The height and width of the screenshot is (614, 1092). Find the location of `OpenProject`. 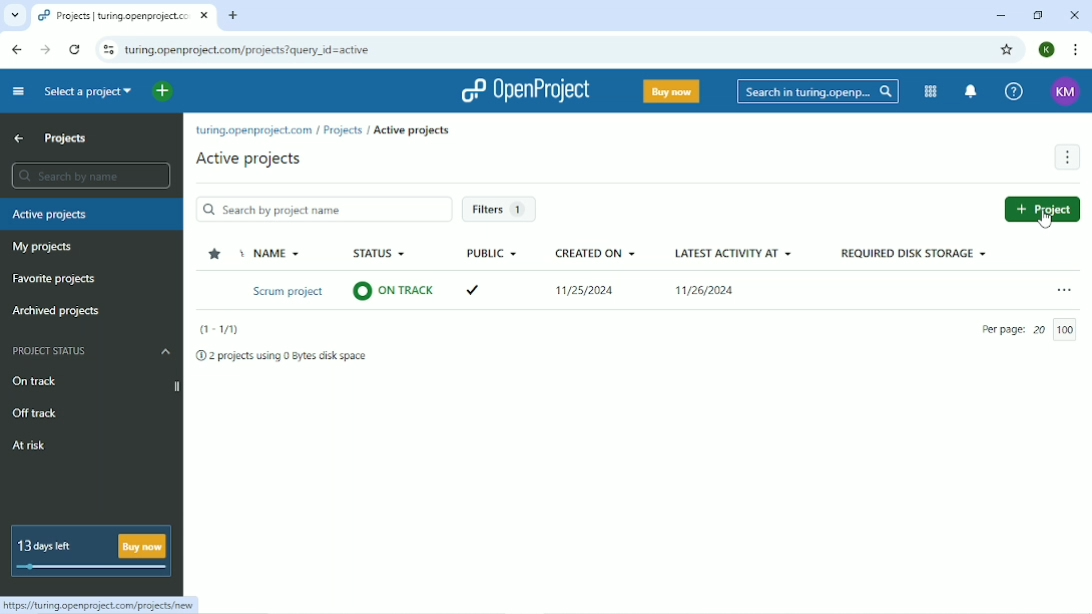

OpenProject is located at coordinates (526, 91).